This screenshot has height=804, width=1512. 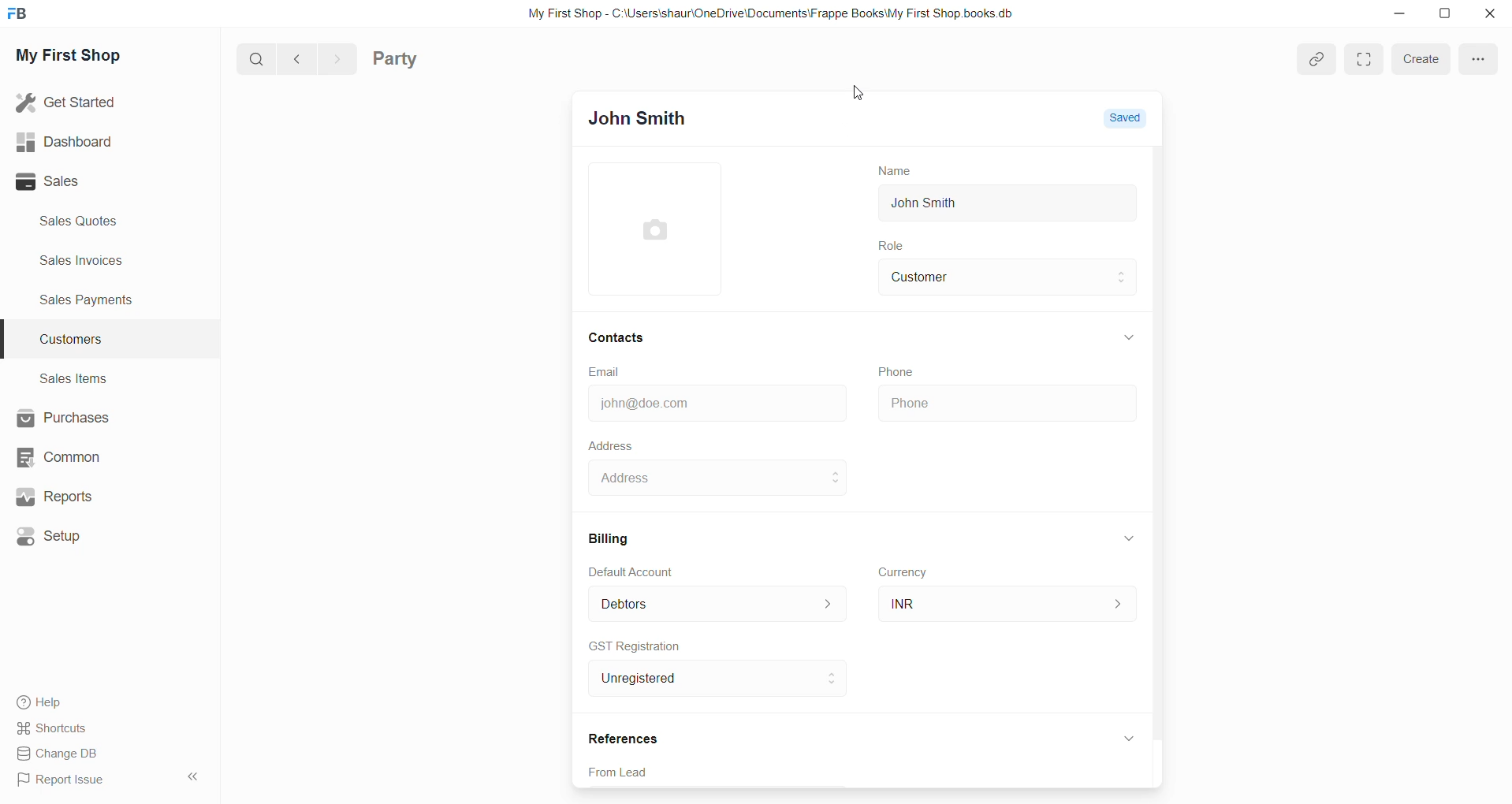 I want to click on Phone, so click(x=1006, y=404).